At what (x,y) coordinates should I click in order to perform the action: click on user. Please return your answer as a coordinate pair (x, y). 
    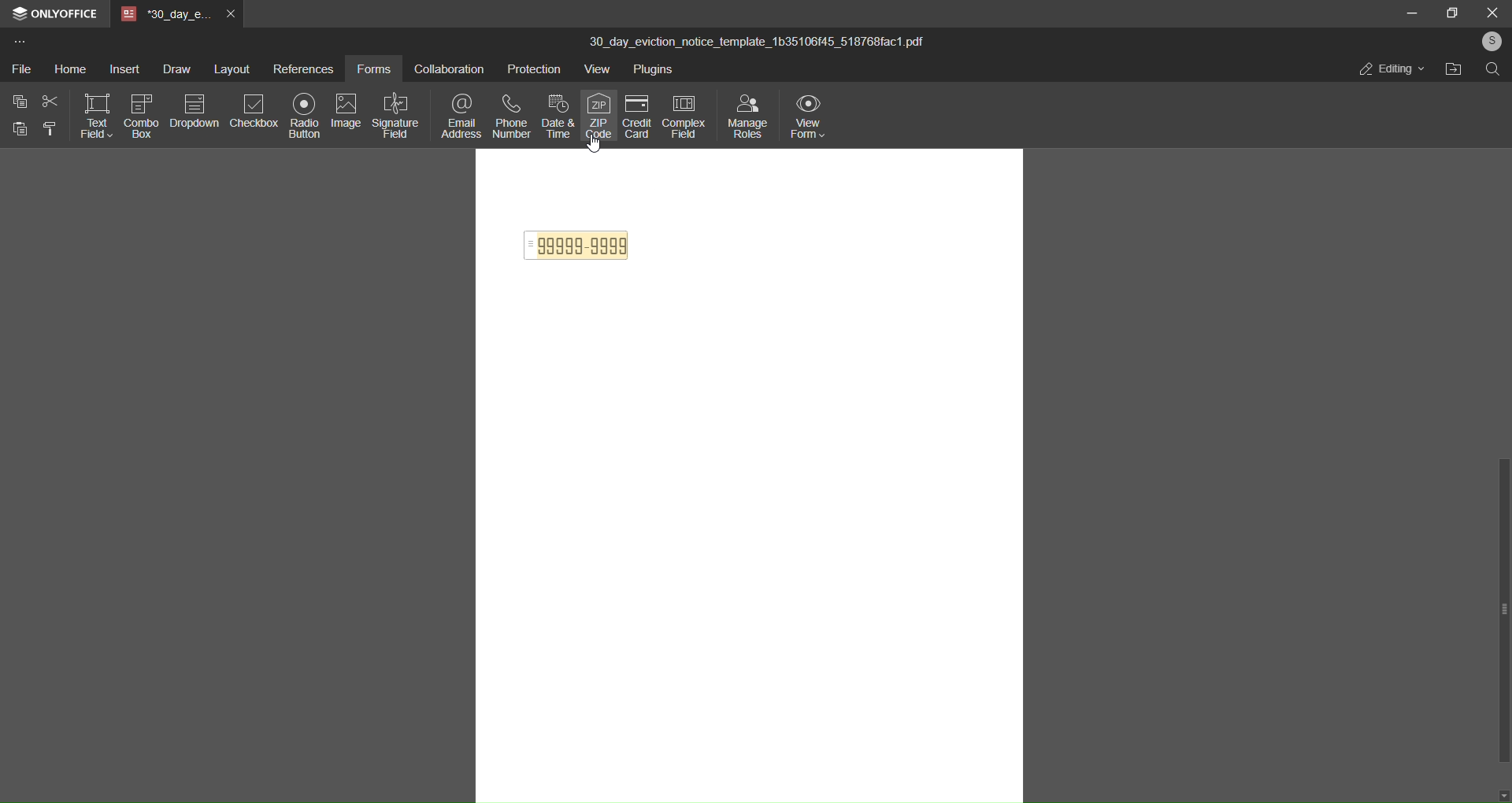
    Looking at the image, I should click on (1490, 41).